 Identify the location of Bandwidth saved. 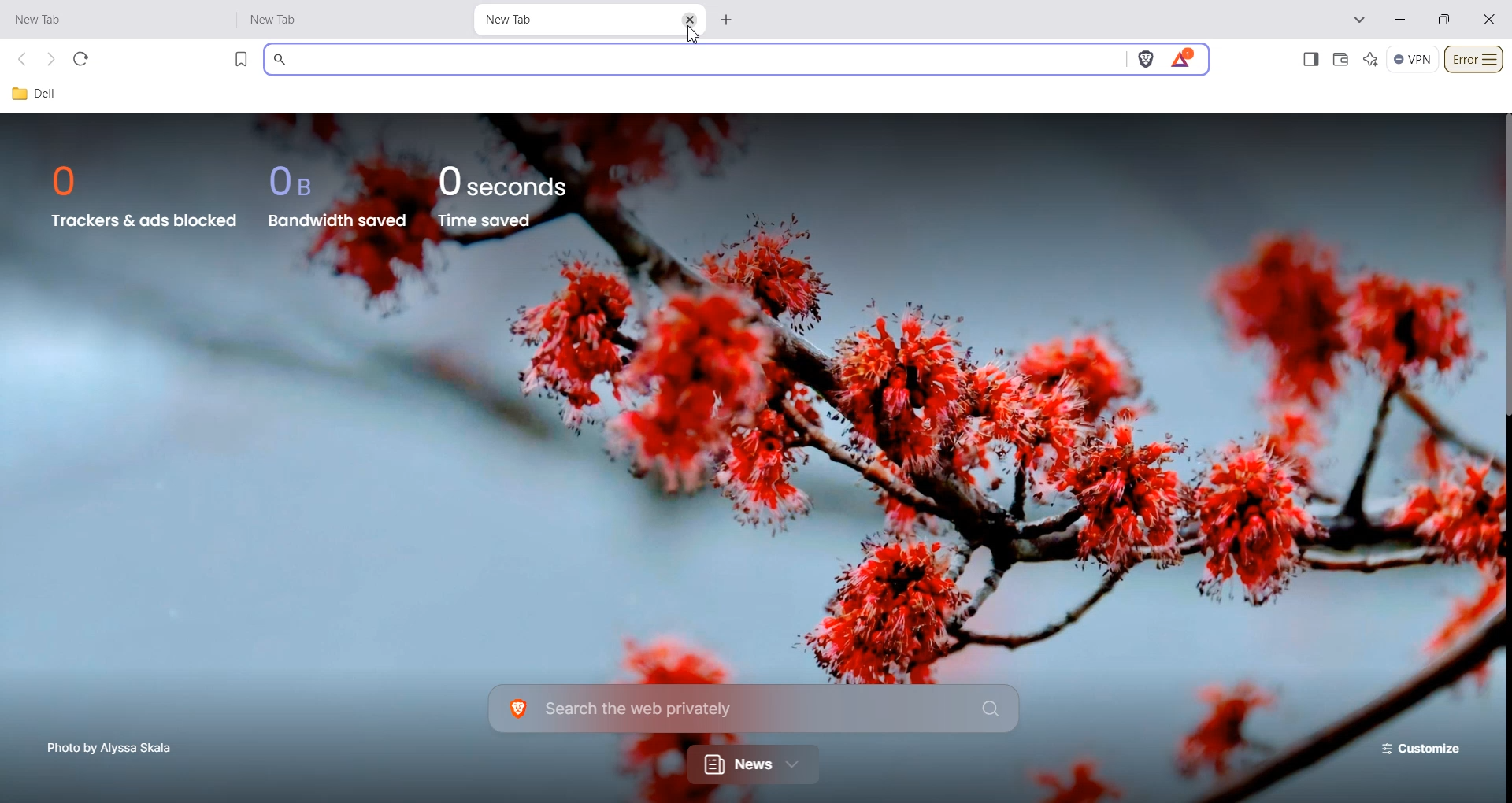
(339, 220).